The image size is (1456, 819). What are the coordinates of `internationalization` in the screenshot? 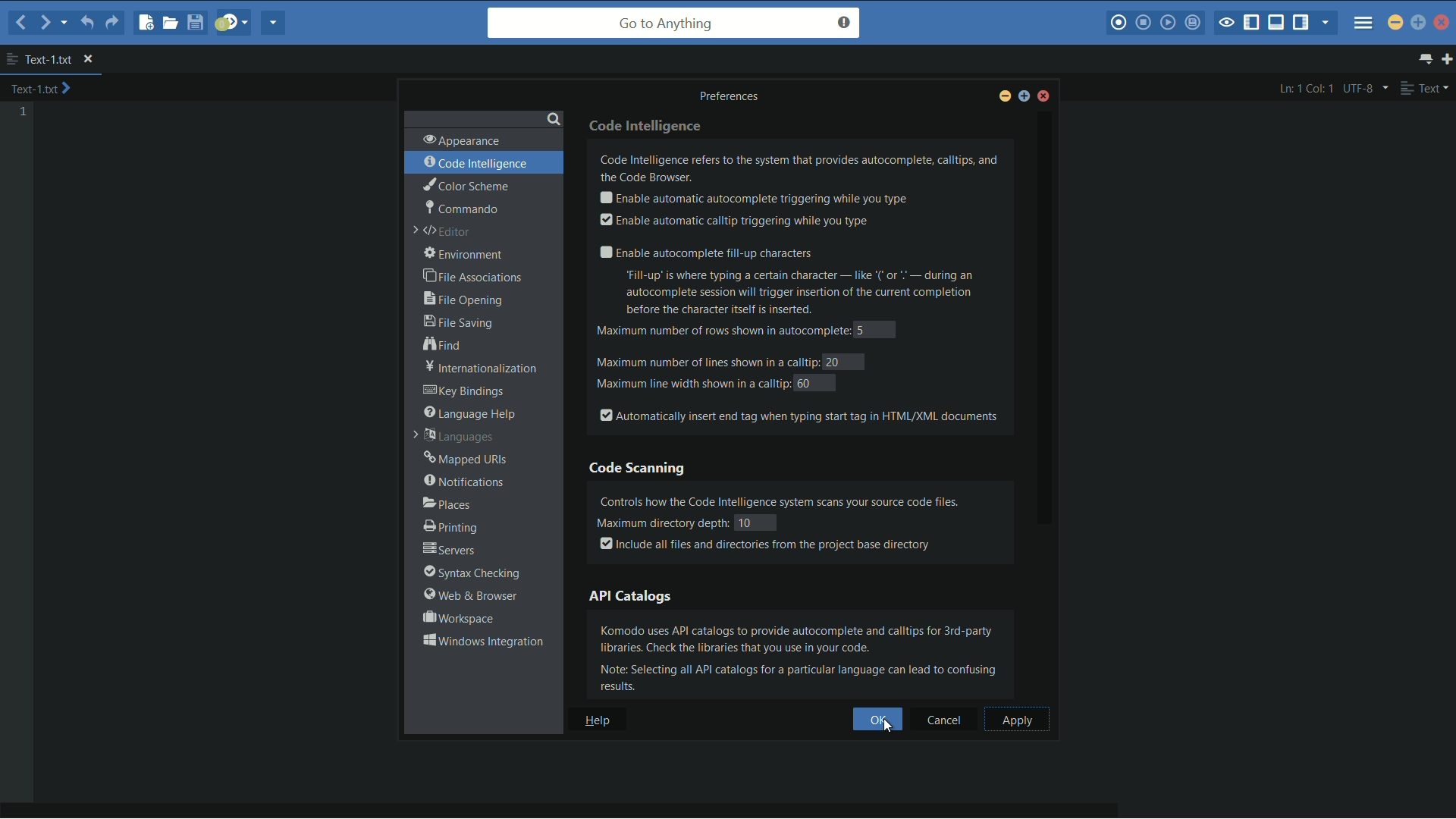 It's located at (477, 368).